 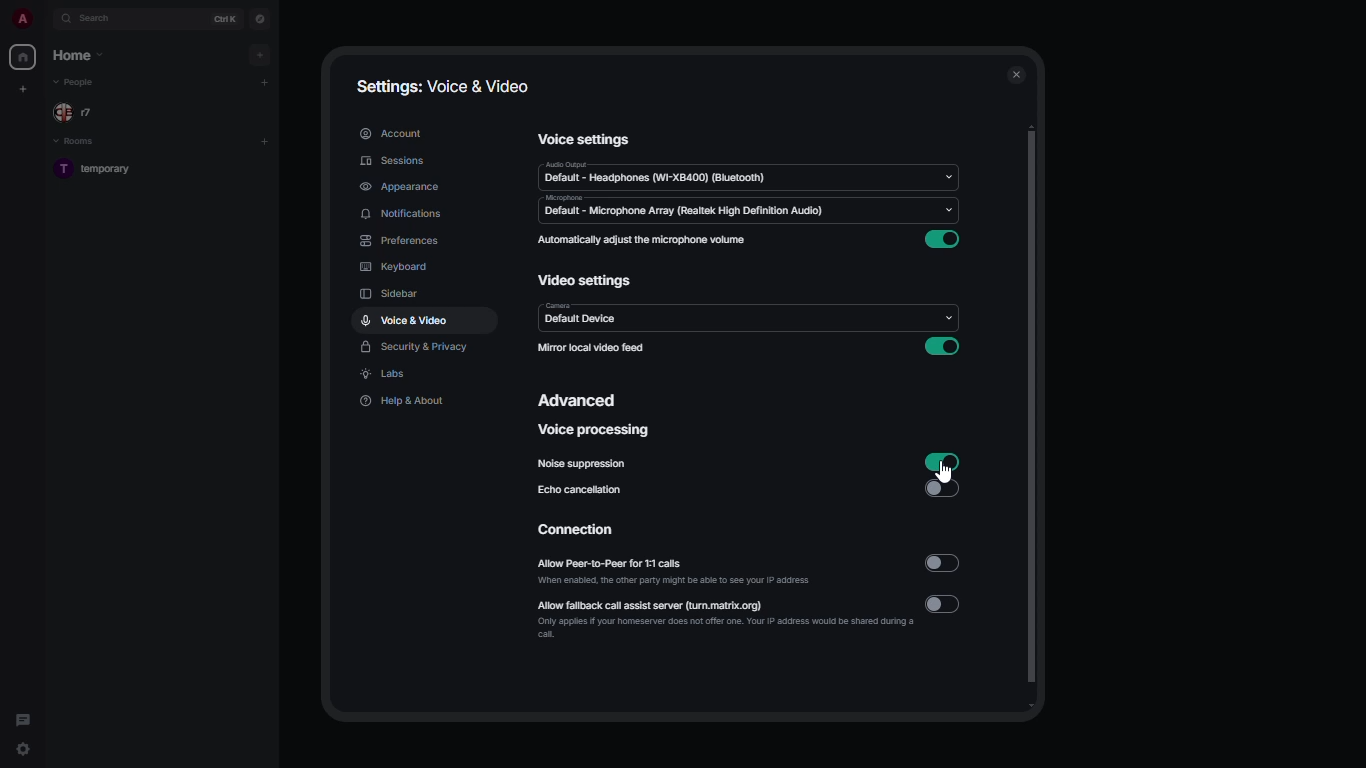 What do you see at coordinates (25, 751) in the screenshot?
I see `quick settings` at bounding box center [25, 751].